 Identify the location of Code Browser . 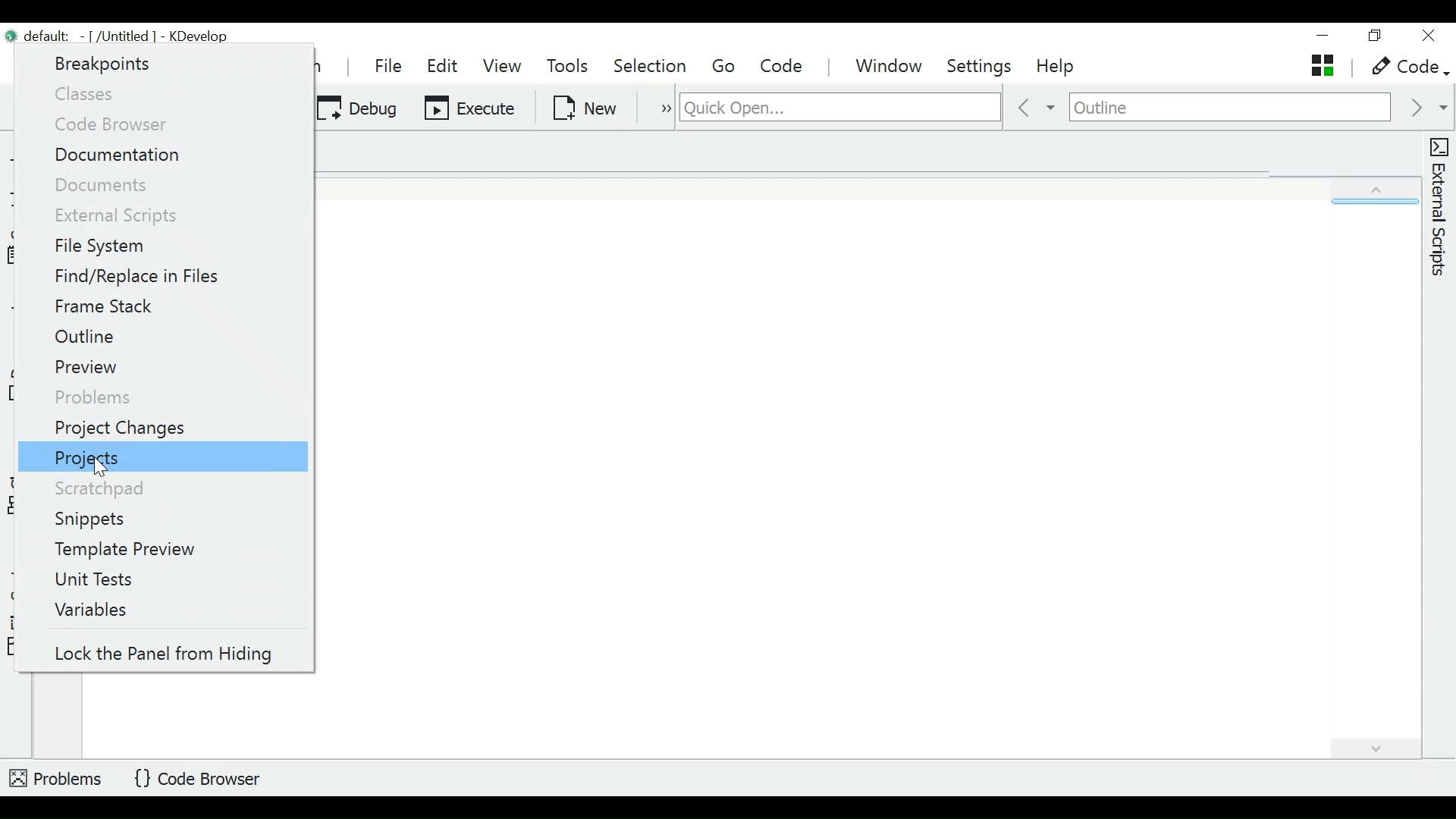
(197, 777).